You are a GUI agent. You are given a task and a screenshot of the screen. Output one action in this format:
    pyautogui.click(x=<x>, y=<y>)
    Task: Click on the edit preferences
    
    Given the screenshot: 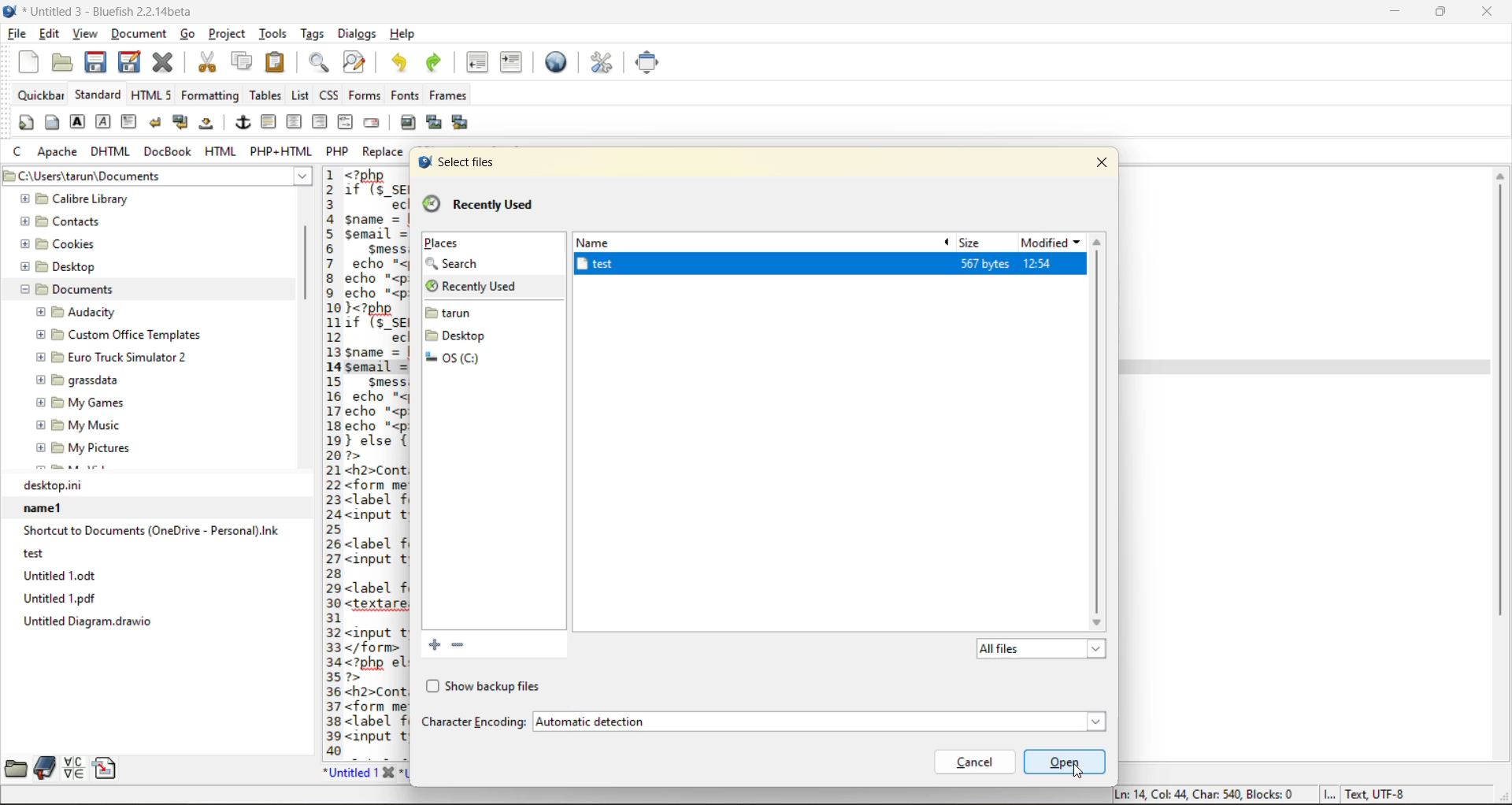 What is the action you would take?
    pyautogui.click(x=600, y=62)
    